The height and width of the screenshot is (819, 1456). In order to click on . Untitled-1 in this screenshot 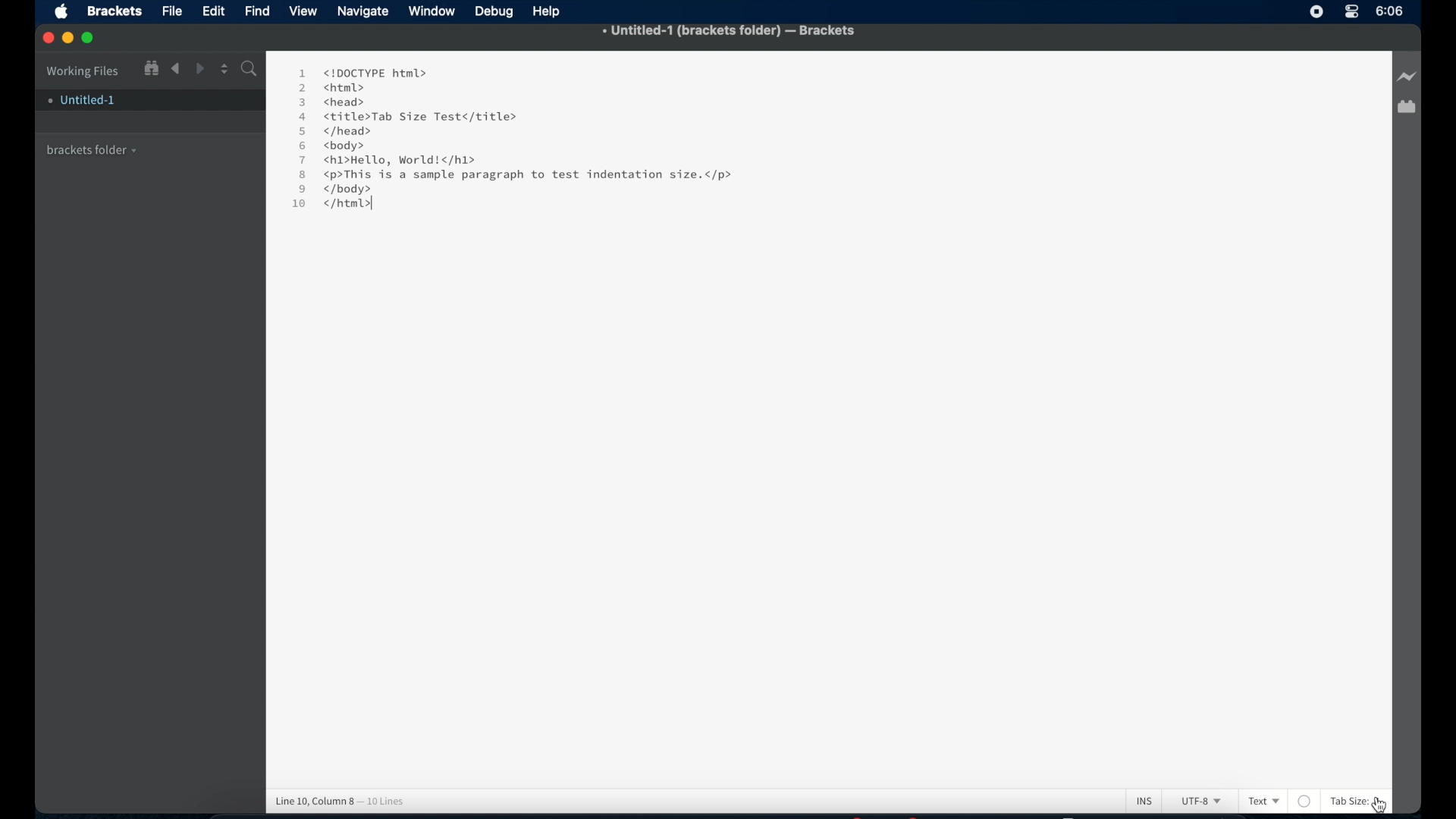, I will do `click(80, 100)`.